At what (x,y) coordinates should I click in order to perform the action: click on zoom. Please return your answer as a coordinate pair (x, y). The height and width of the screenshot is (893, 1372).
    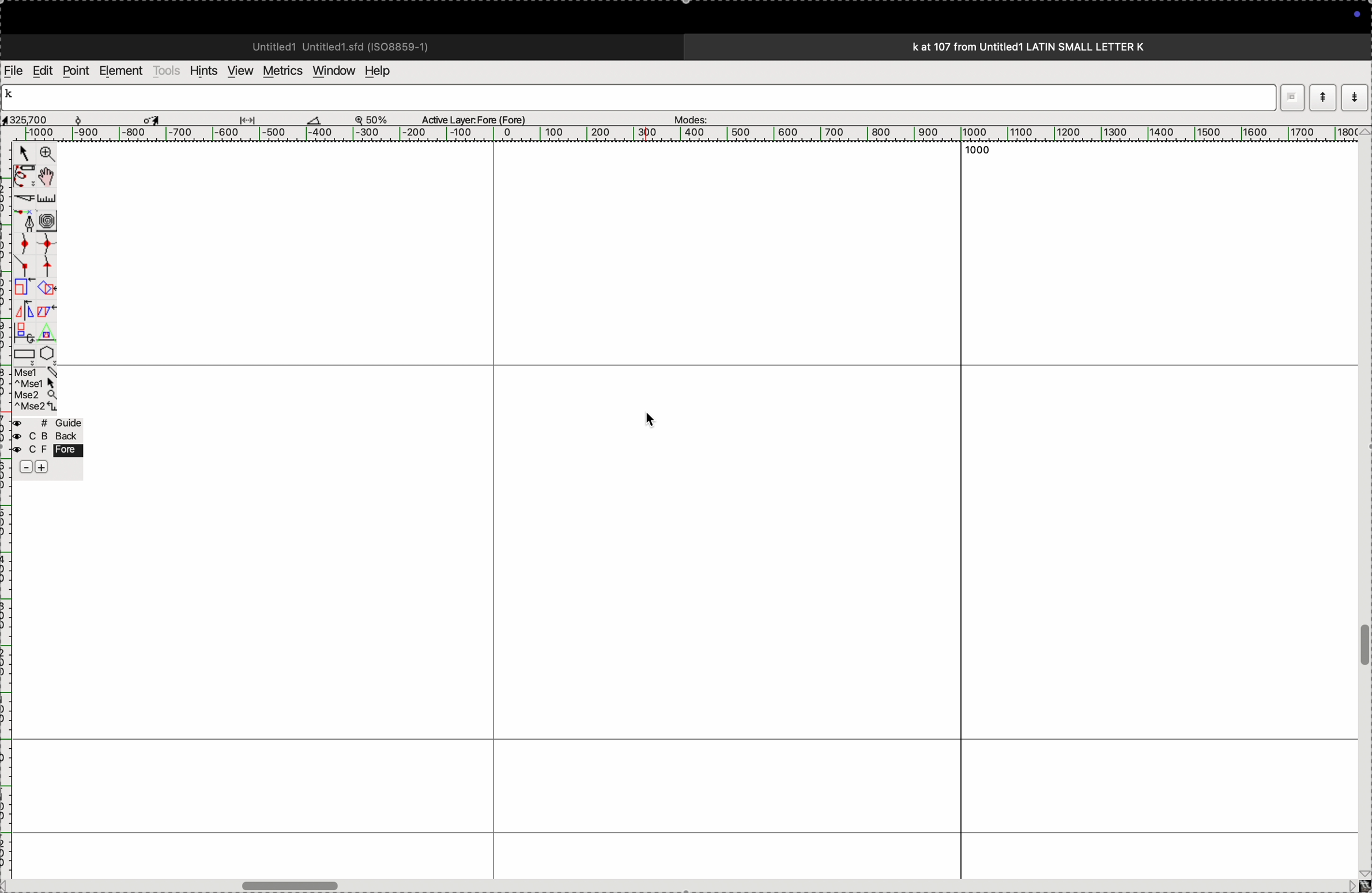
    Looking at the image, I should click on (45, 155).